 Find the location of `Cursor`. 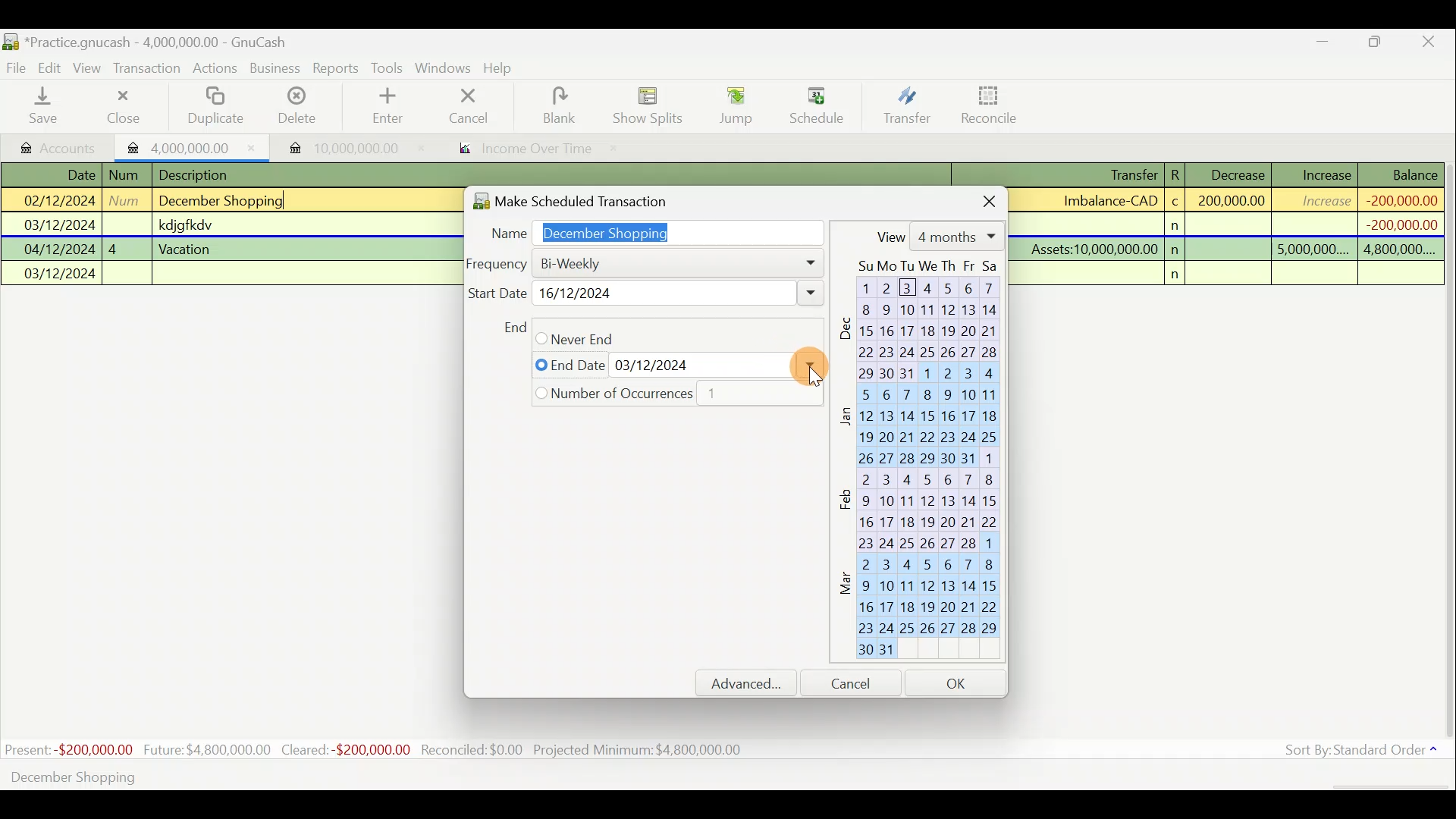

Cursor is located at coordinates (805, 364).